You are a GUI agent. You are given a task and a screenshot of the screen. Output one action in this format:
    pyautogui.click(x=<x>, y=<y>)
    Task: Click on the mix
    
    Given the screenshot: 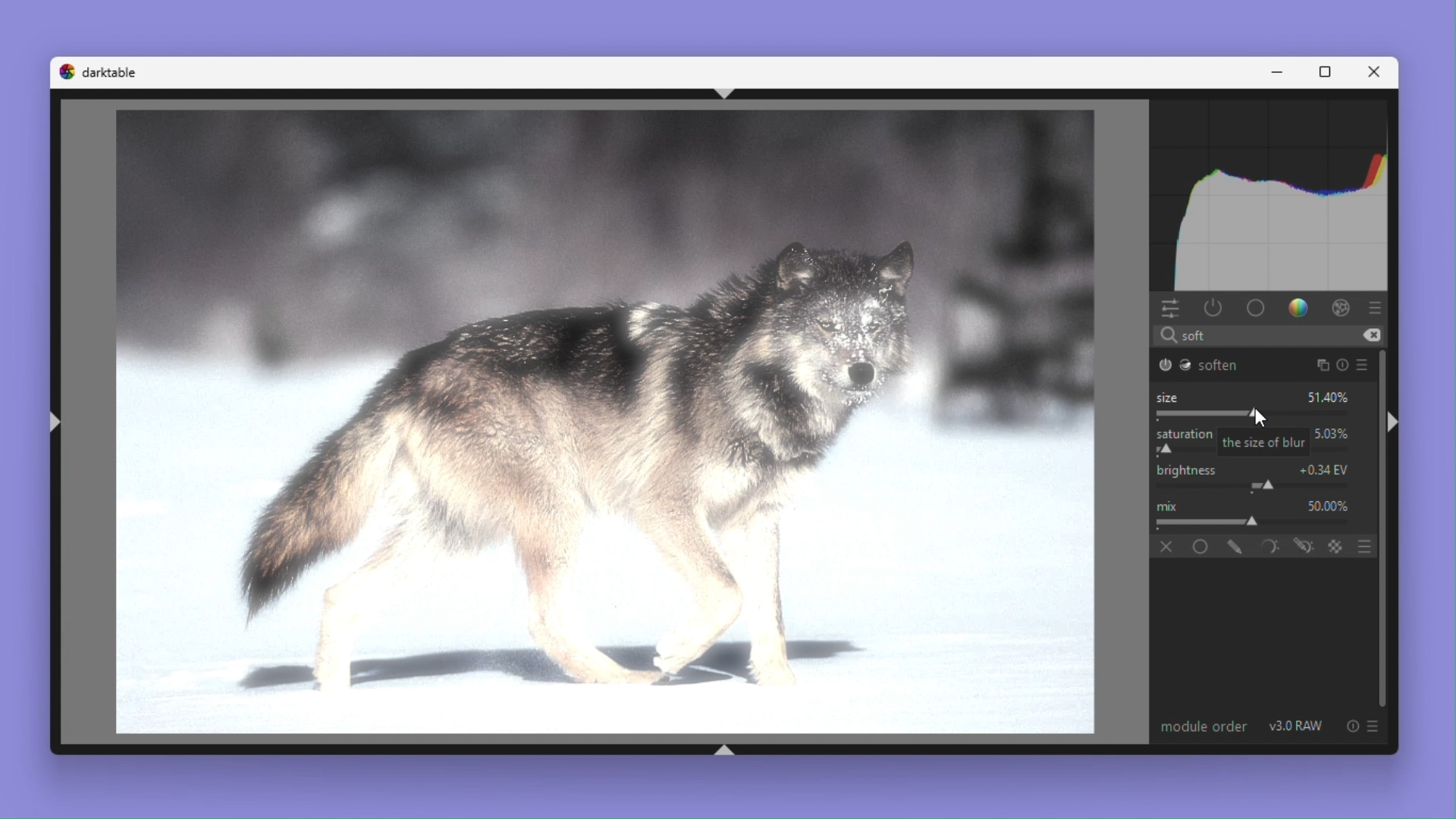 What is the action you would take?
    pyautogui.click(x=1169, y=504)
    